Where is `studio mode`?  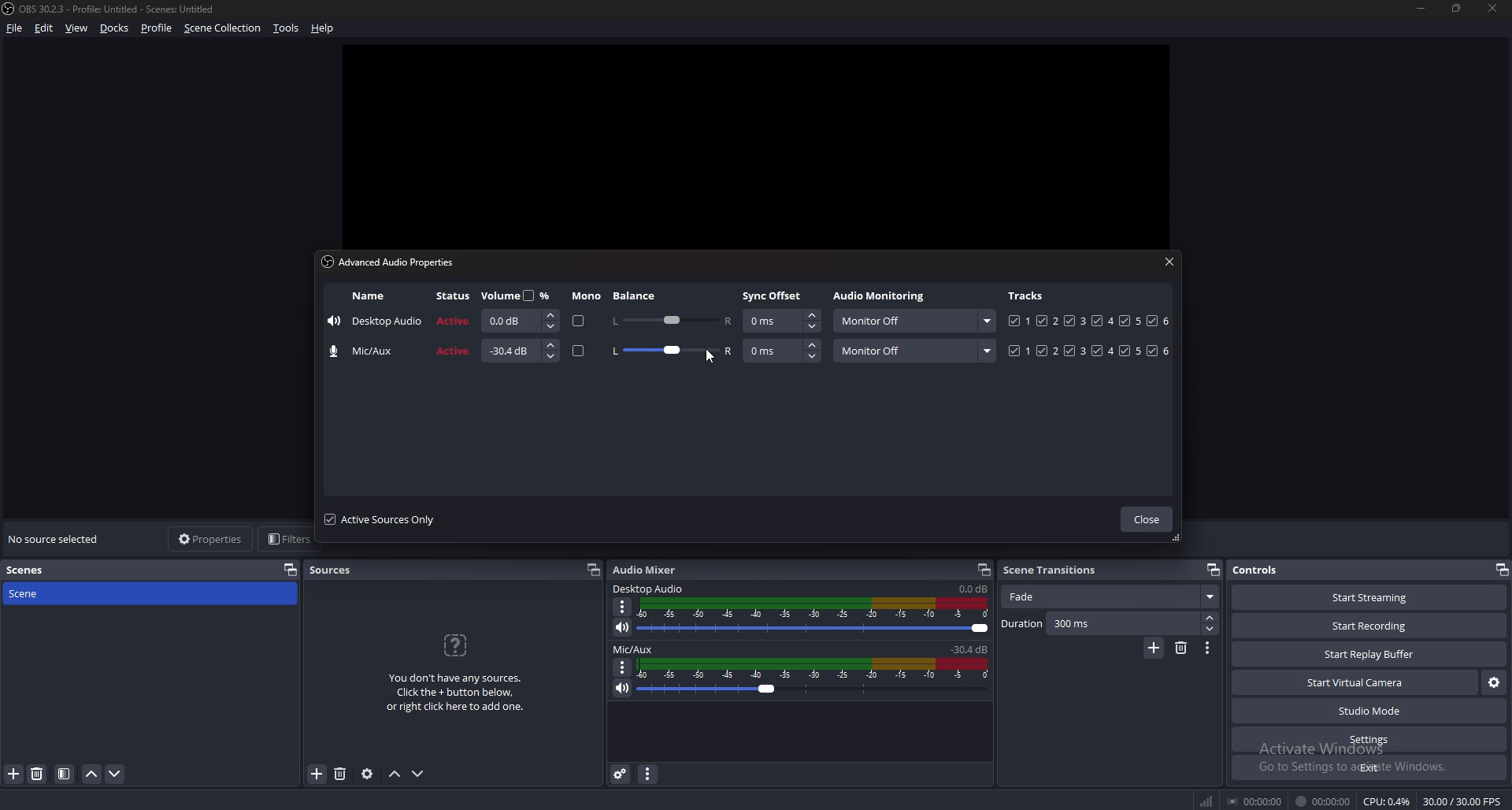
studio mode is located at coordinates (1368, 711).